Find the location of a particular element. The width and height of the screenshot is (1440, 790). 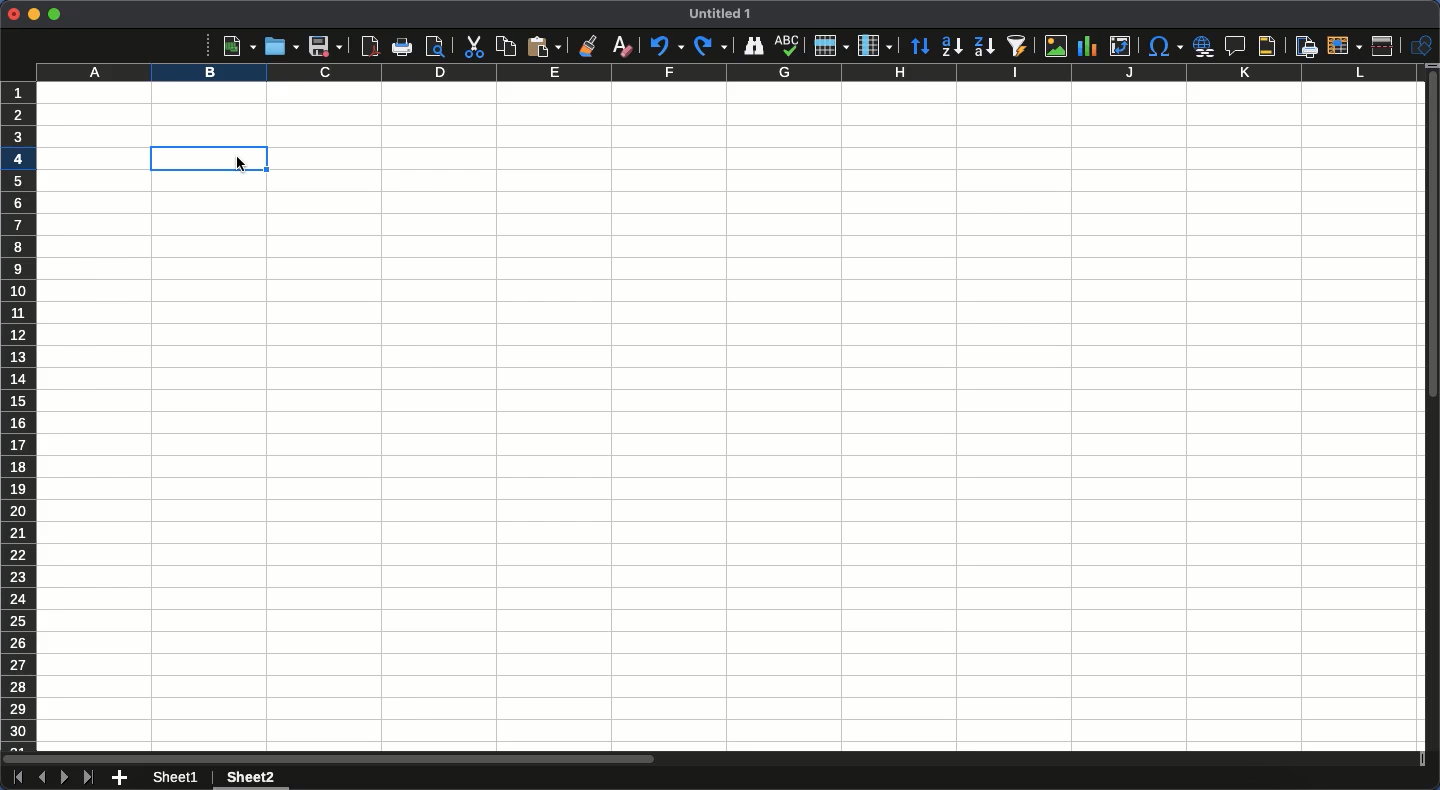

B4 selected is located at coordinates (209, 159).